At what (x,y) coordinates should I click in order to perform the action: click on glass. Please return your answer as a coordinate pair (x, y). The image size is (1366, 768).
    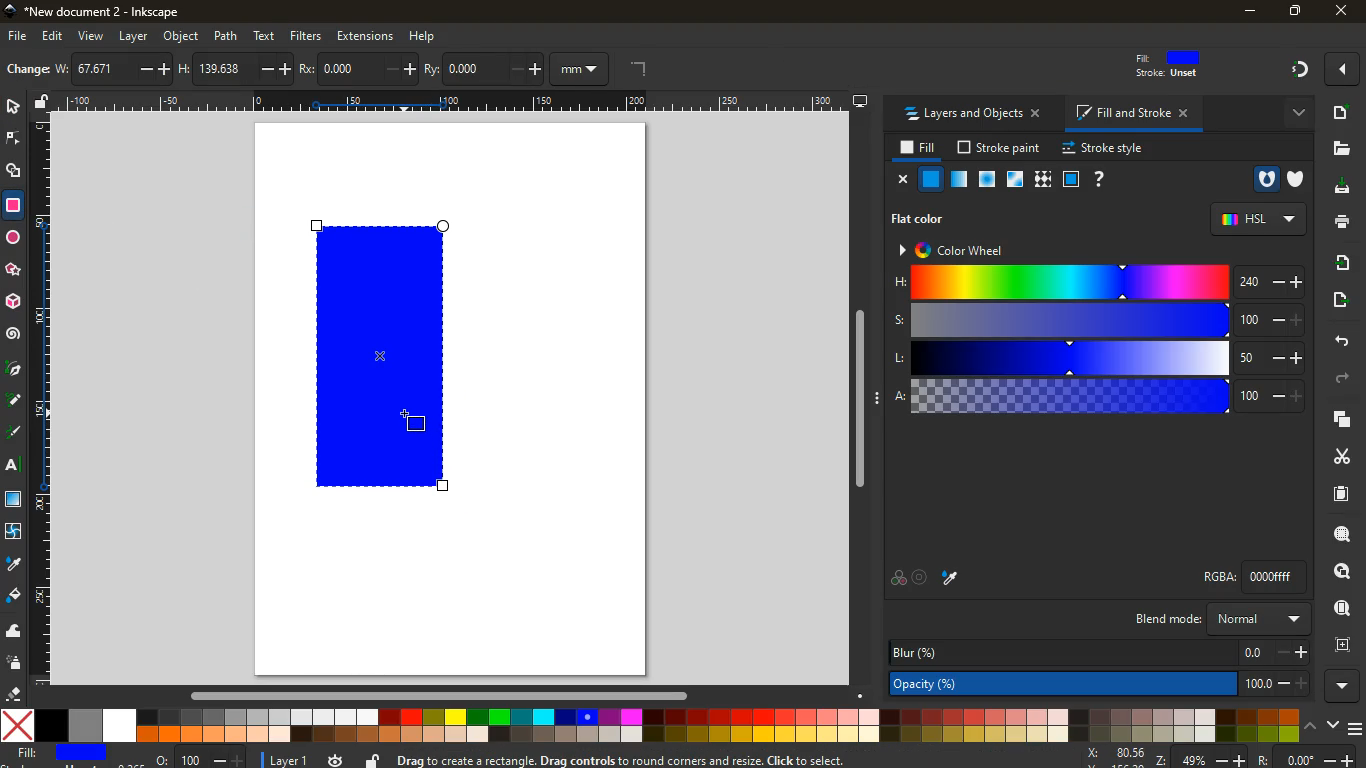
    Looking at the image, I should click on (1070, 179).